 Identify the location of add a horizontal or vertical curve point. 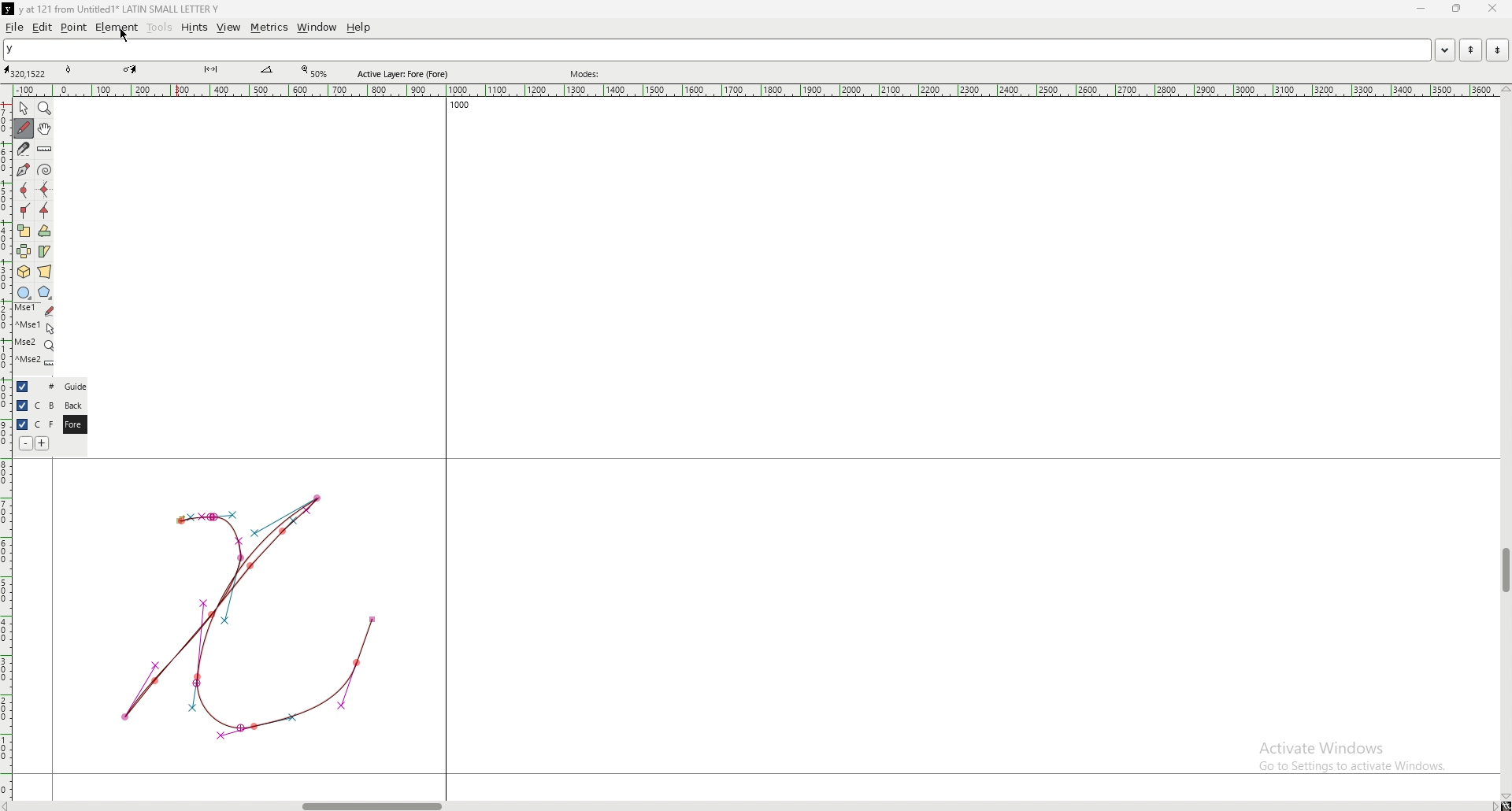
(45, 190).